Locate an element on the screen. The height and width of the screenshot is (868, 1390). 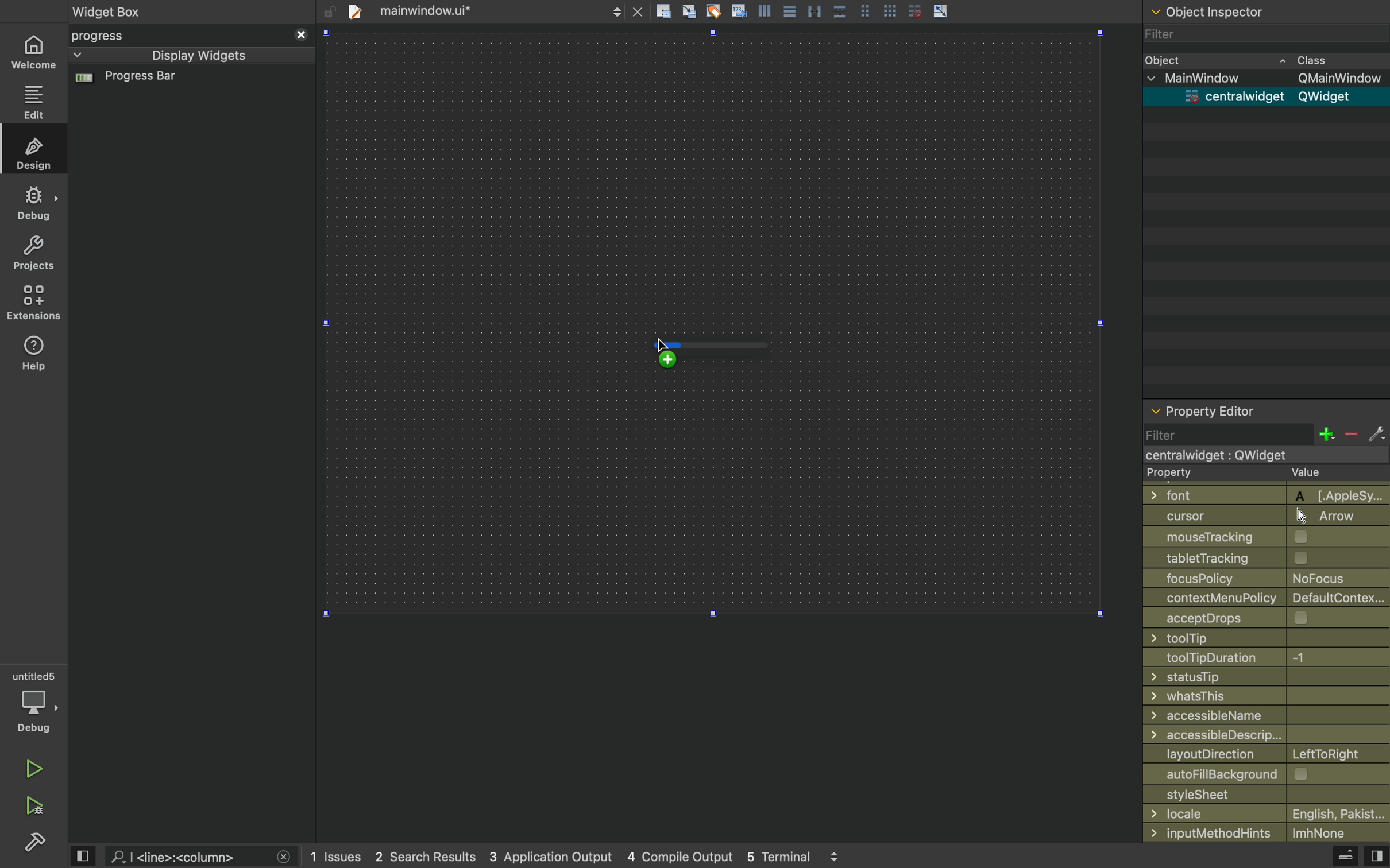
mainwindow is located at coordinates (1269, 79).